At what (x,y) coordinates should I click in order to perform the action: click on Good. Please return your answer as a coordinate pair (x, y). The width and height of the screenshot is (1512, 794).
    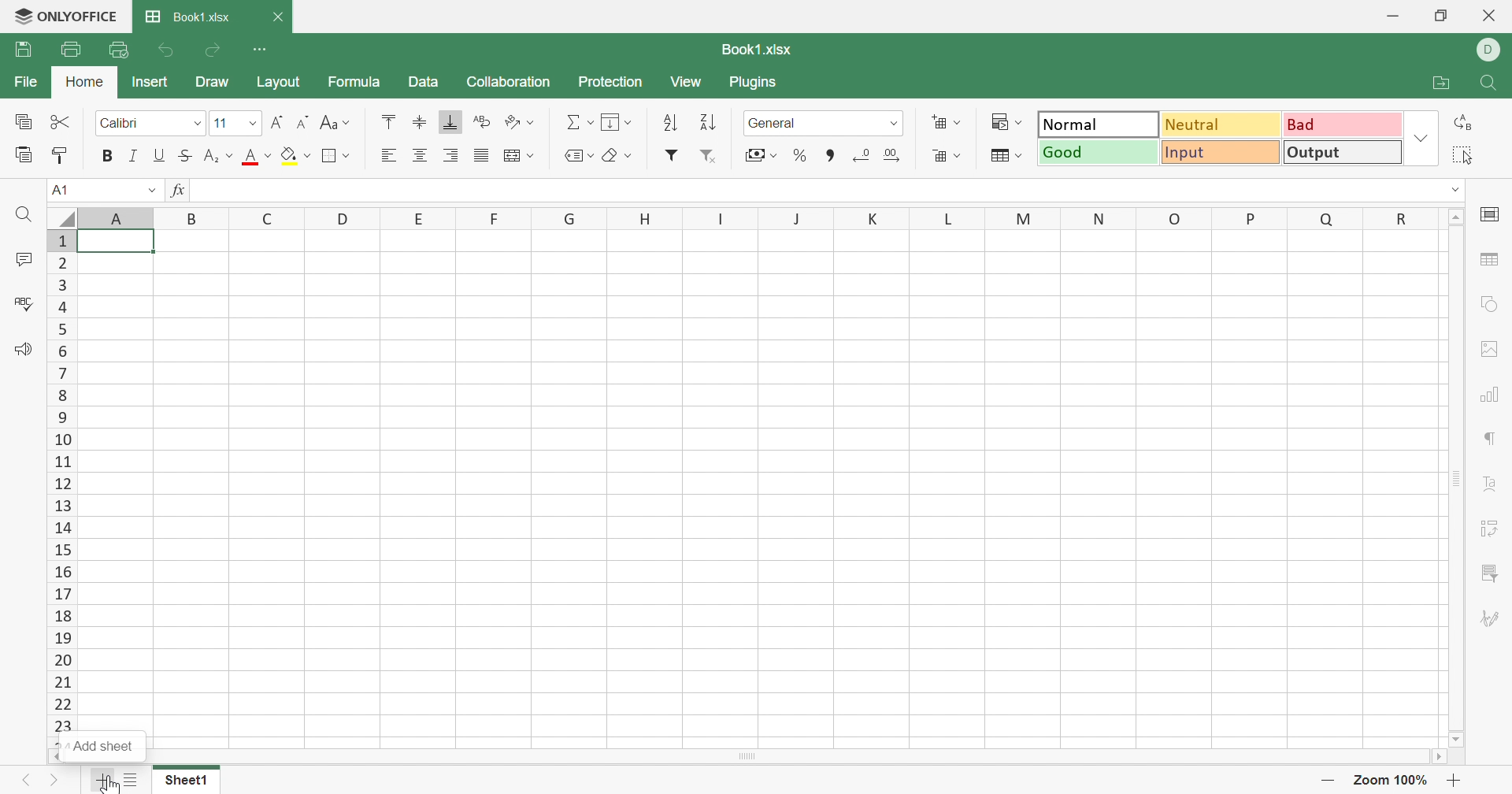
    Looking at the image, I should click on (1097, 152).